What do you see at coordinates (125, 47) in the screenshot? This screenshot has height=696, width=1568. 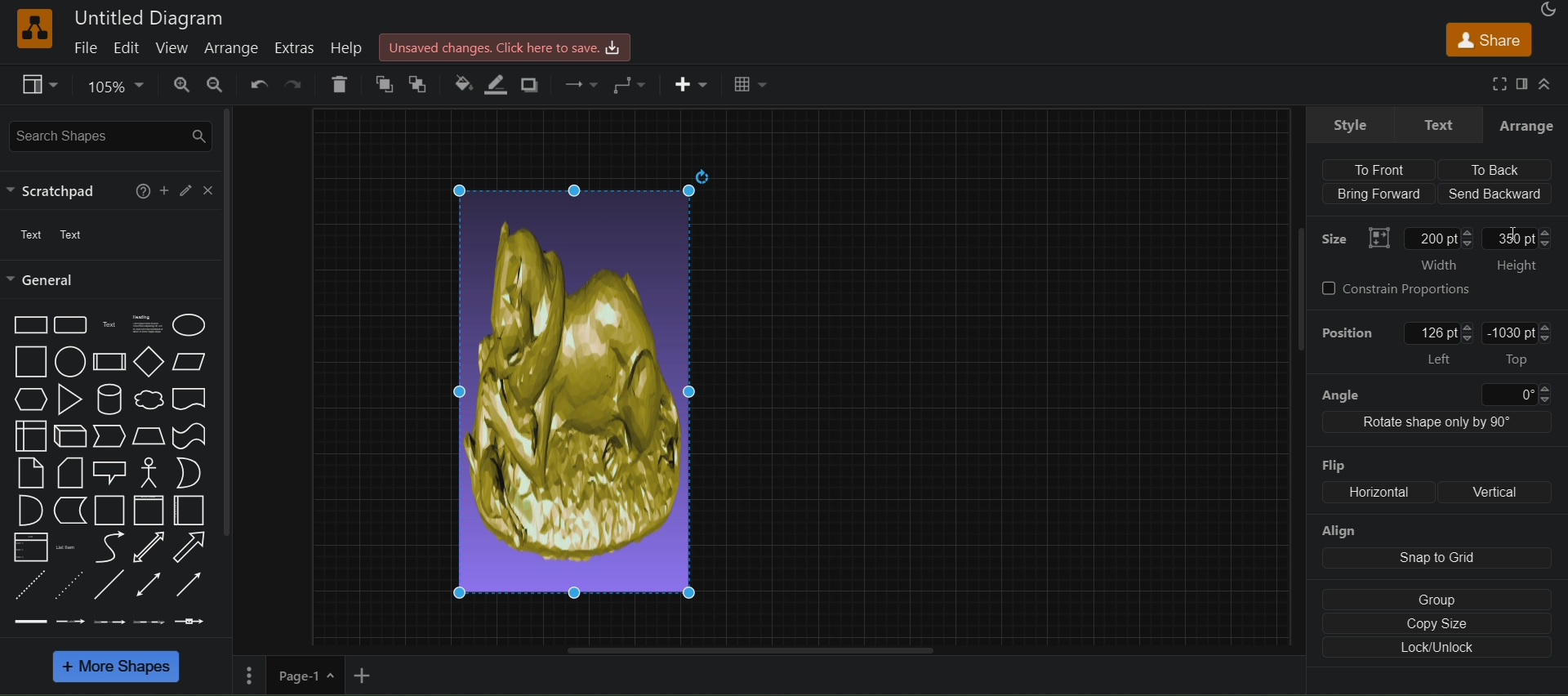 I see `edit` at bounding box center [125, 47].